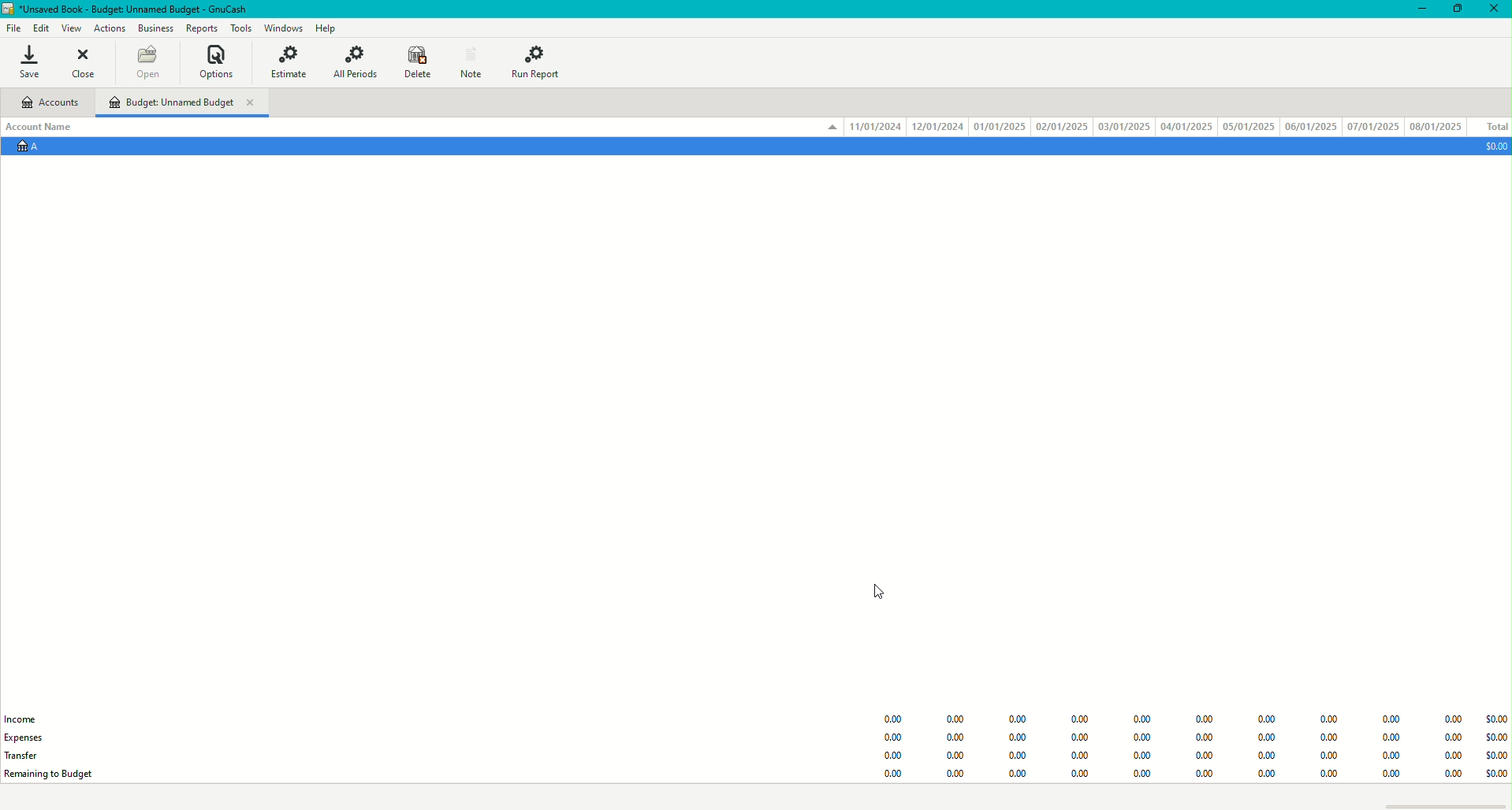 Image resolution: width=1512 pixels, height=810 pixels. I want to click on Account A, so click(35, 148).